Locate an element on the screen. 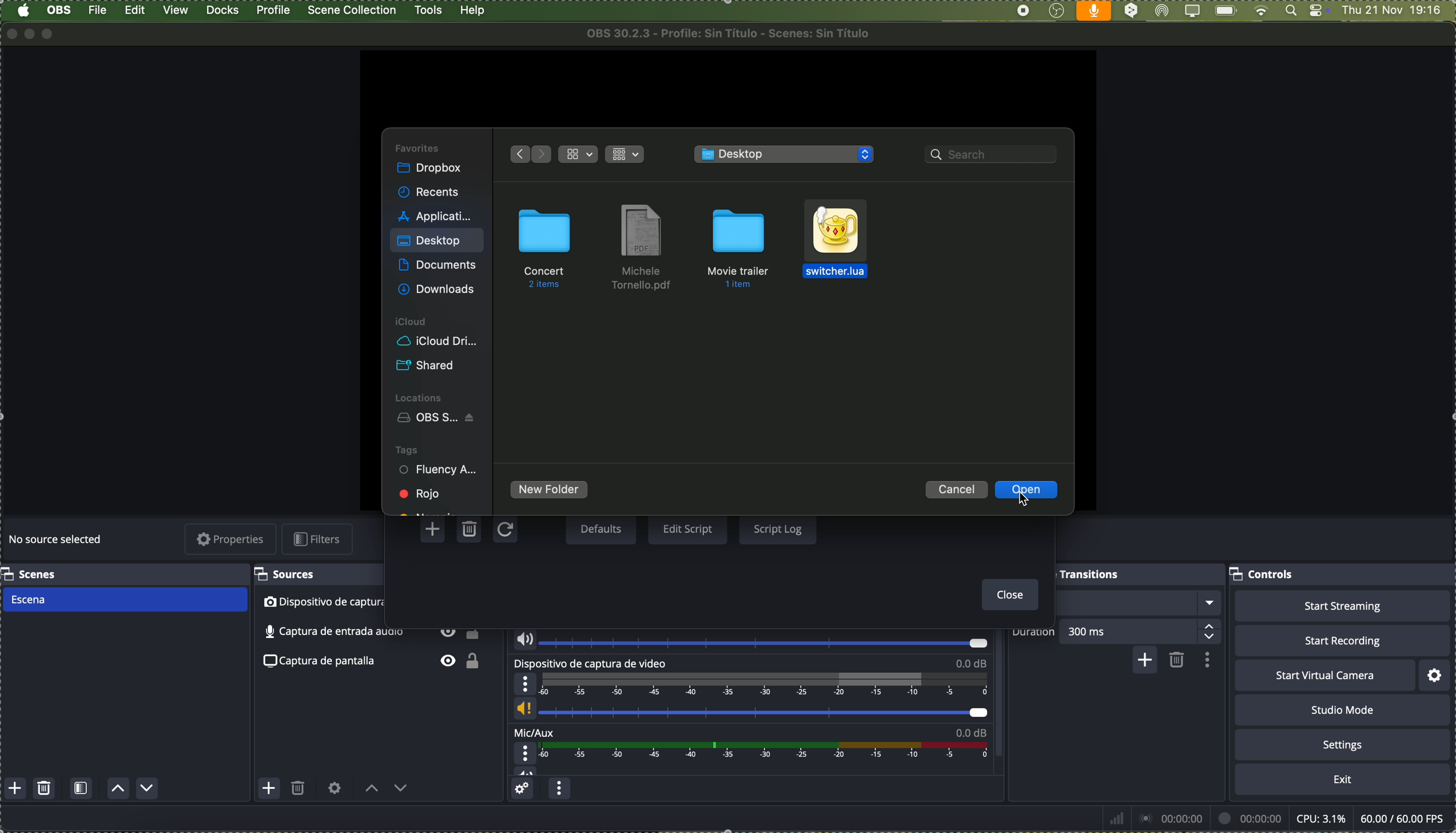 This screenshot has width=1456, height=833. shared is located at coordinates (428, 366).